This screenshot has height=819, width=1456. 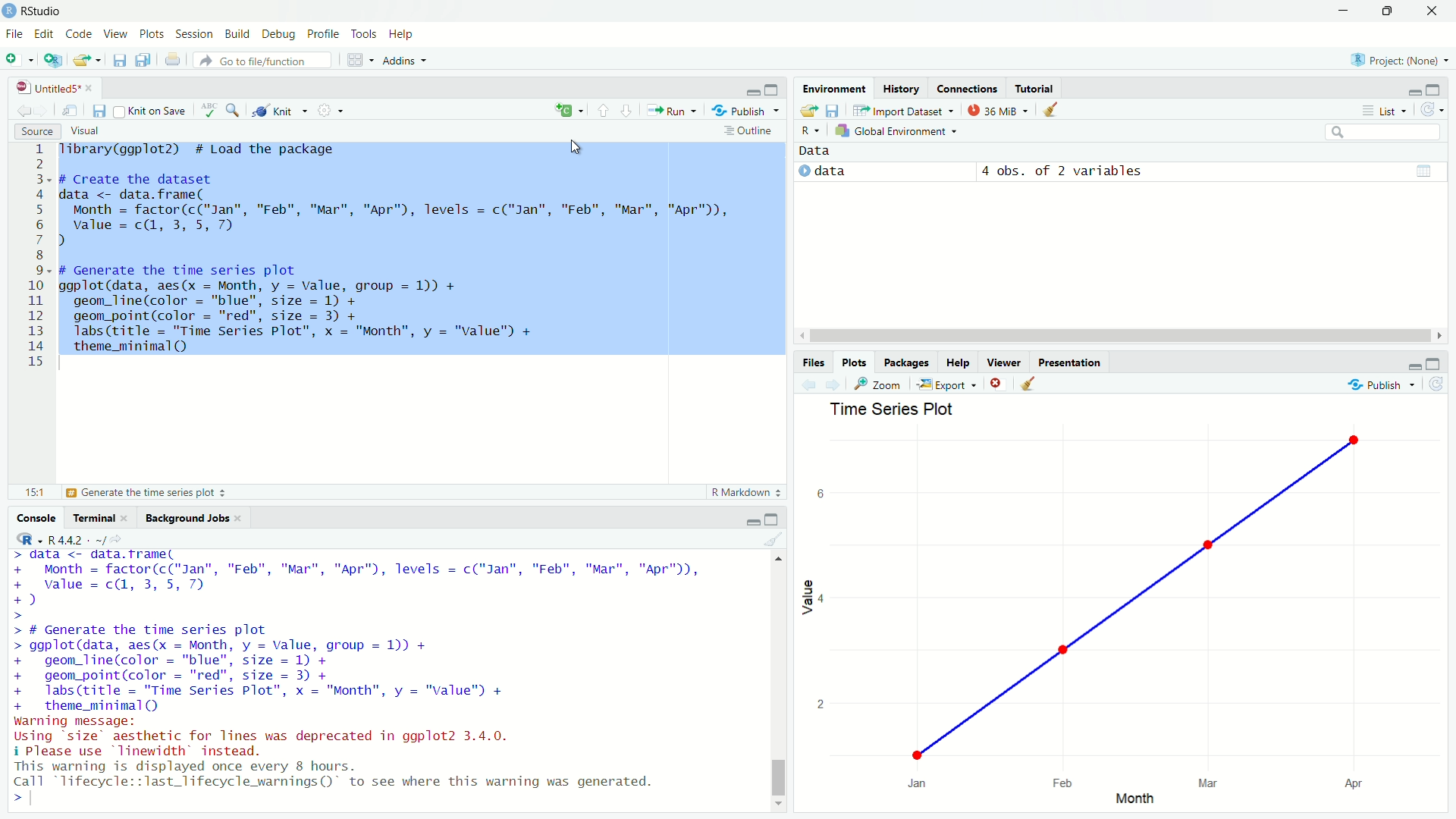 What do you see at coordinates (899, 132) in the screenshot?
I see `global environment` at bounding box center [899, 132].